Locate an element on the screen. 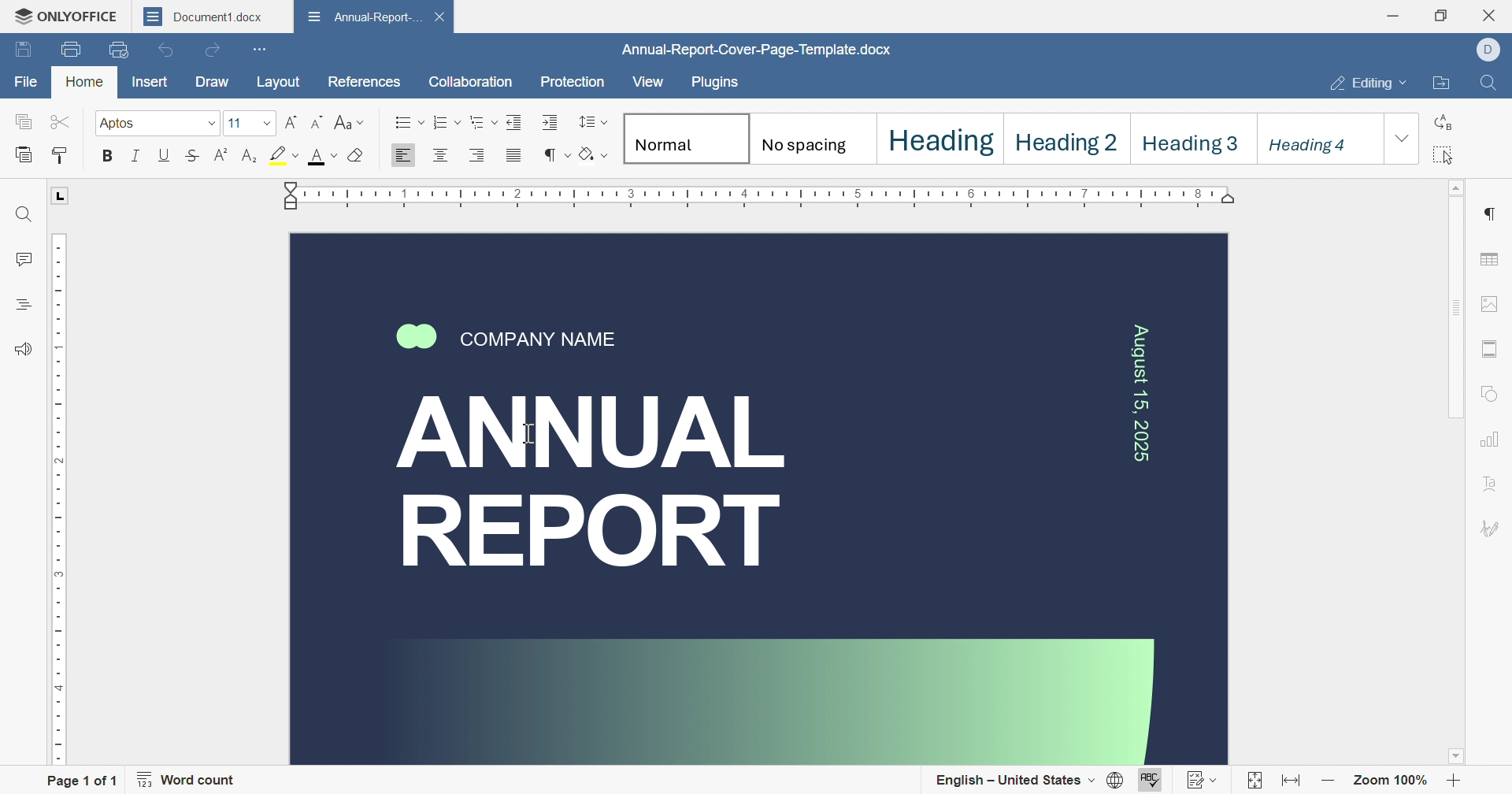 This screenshot has width=1512, height=794. typing cursor is located at coordinates (523, 433).